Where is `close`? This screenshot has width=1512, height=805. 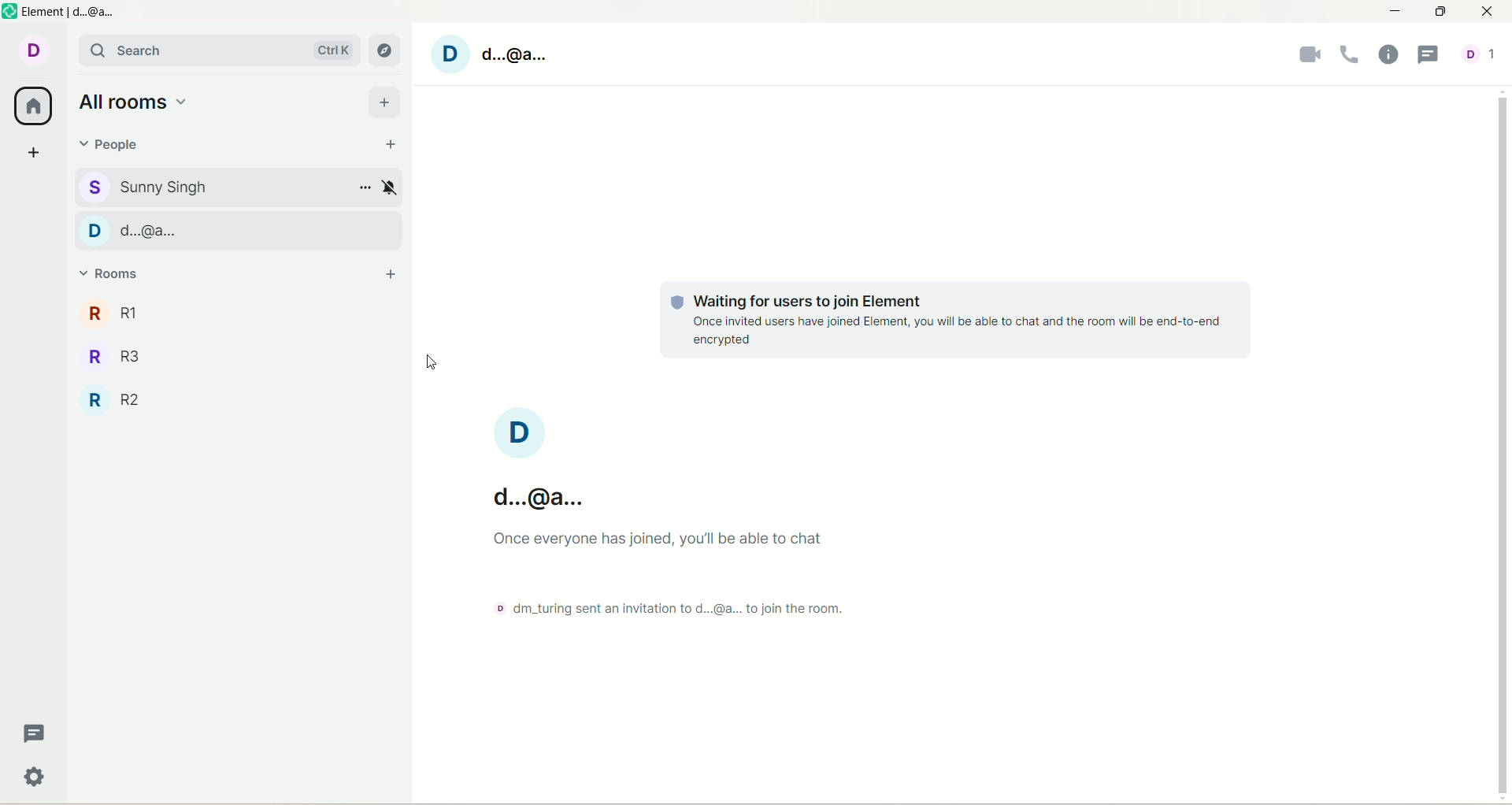
close is located at coordinates (1492, 10).